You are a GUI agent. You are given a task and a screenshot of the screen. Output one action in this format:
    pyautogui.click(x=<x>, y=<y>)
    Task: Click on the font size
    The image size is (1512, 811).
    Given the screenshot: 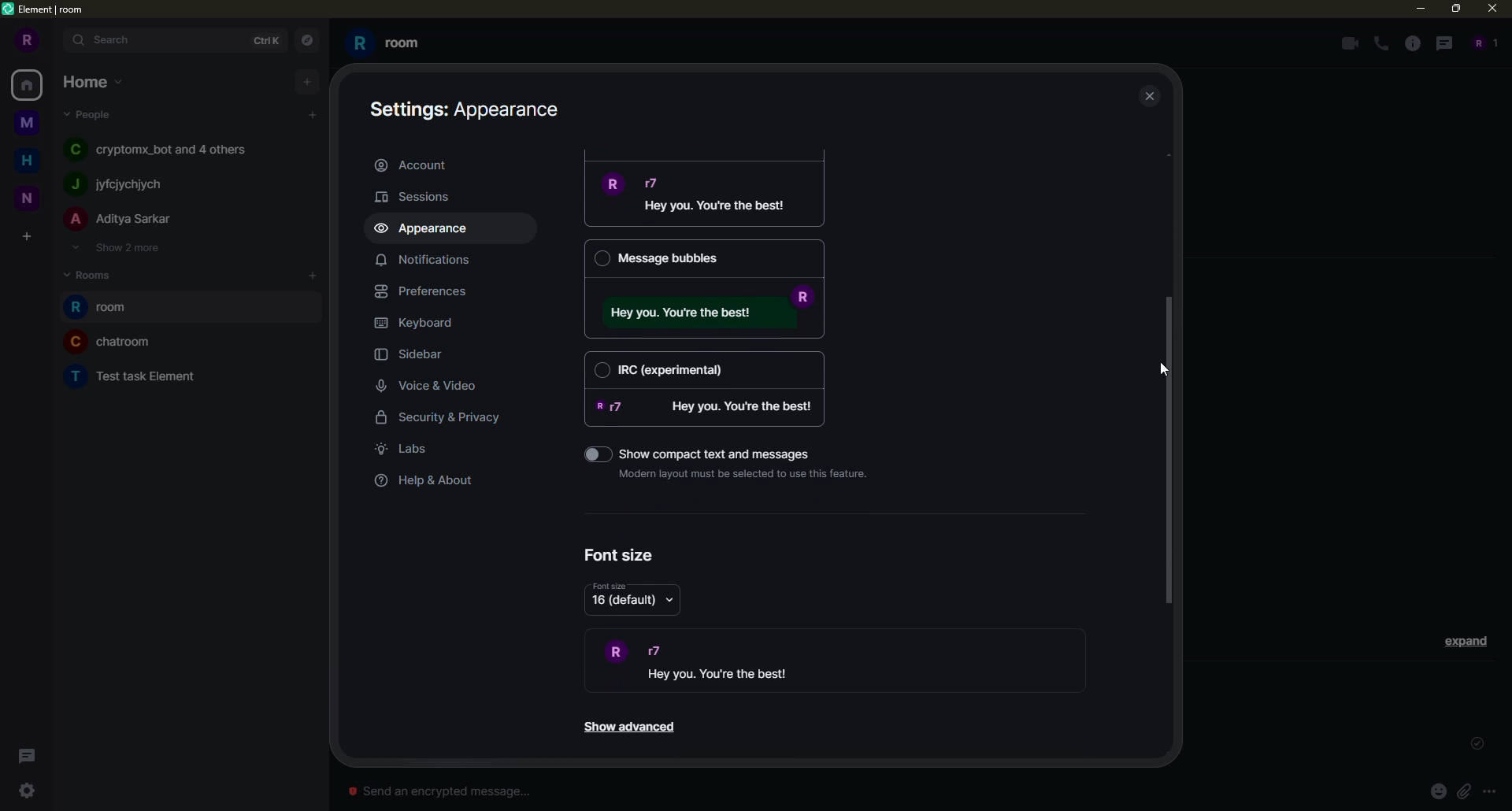 What is the action you would take?
    pyautogui.click(x=610, y=583)
    